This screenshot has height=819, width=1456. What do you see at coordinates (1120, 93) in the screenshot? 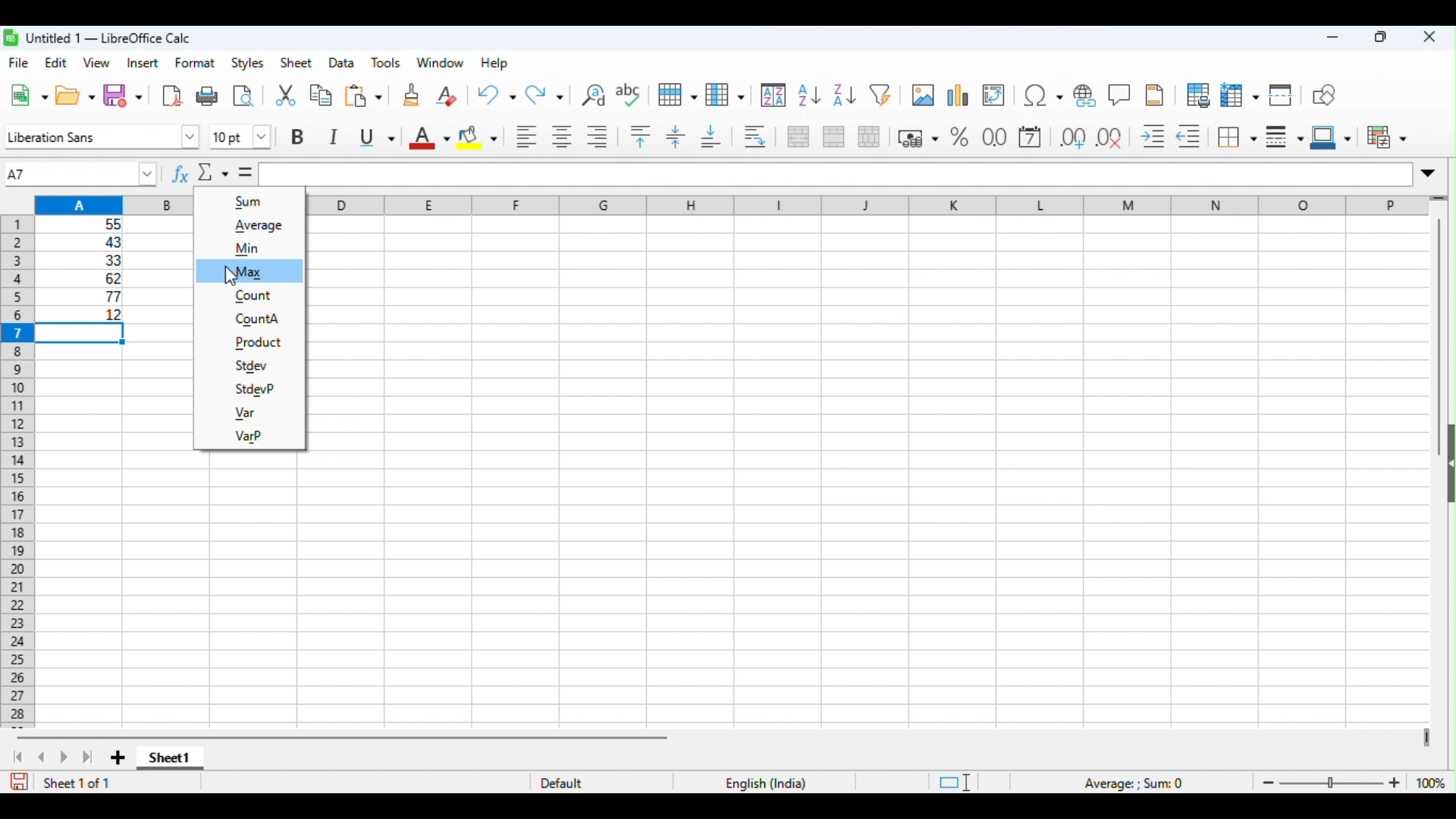
I see `insert comment` at bounding box center [1120, 93].